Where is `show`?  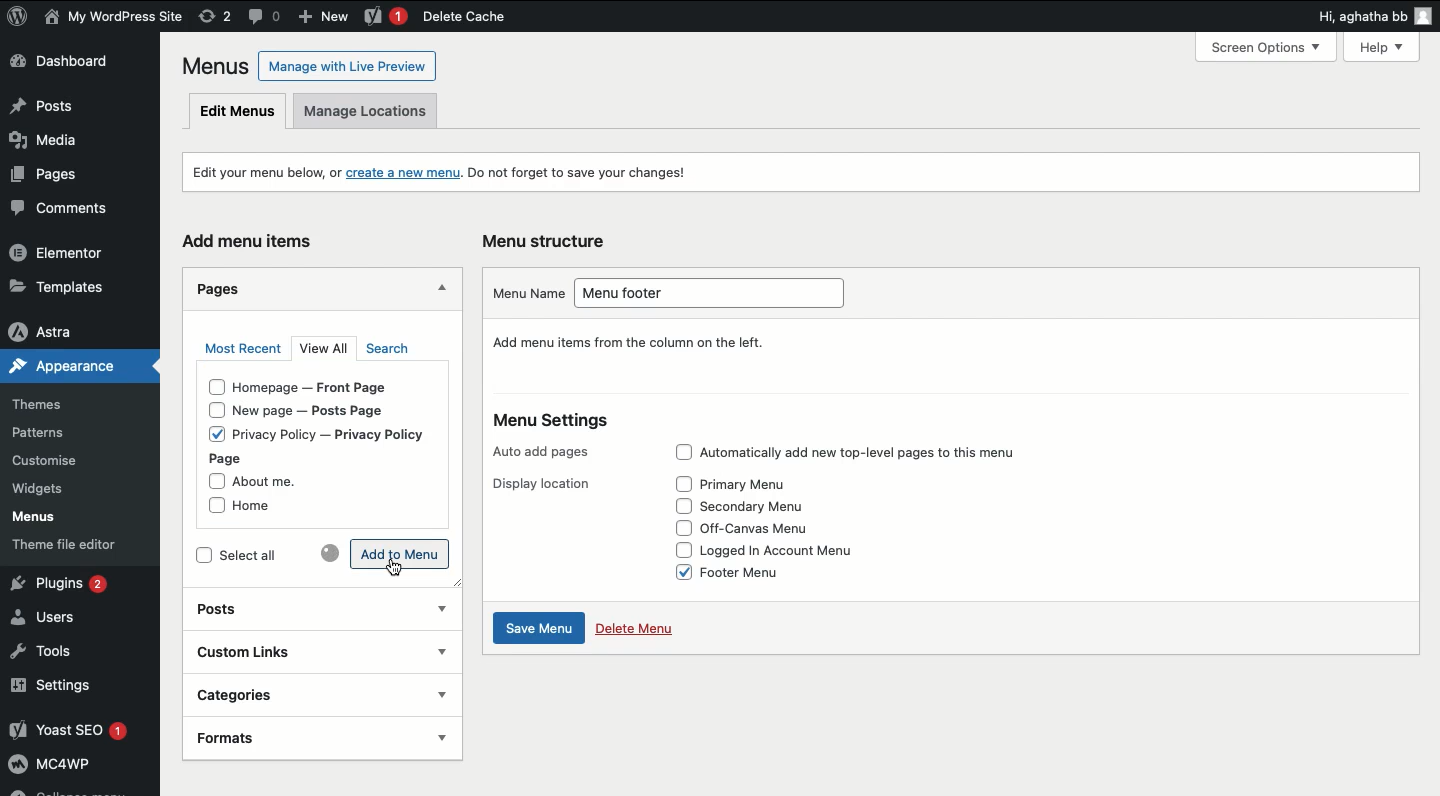
show is located at coordinates (442, 610).